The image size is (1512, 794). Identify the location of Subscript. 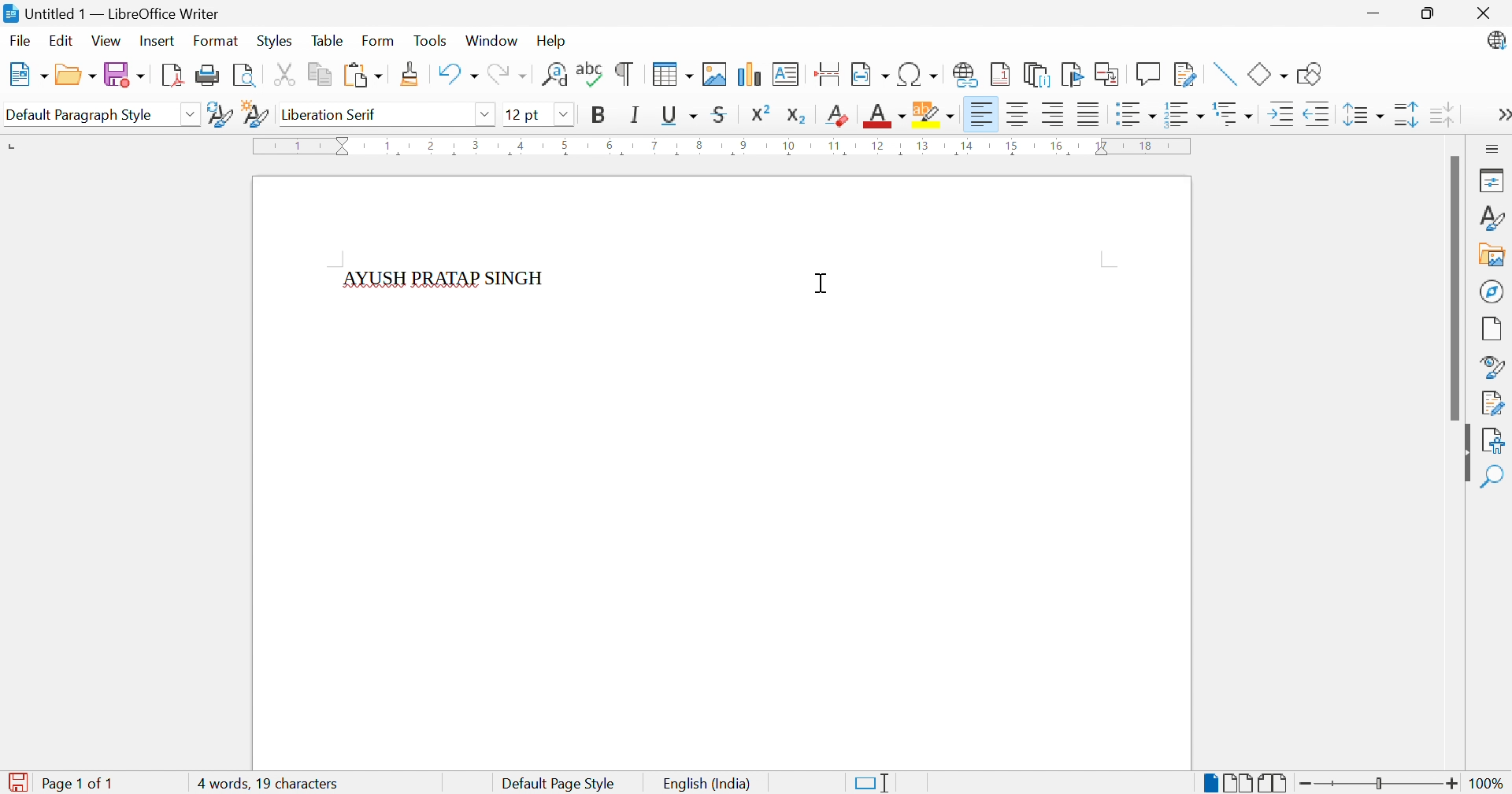
(797, 116).